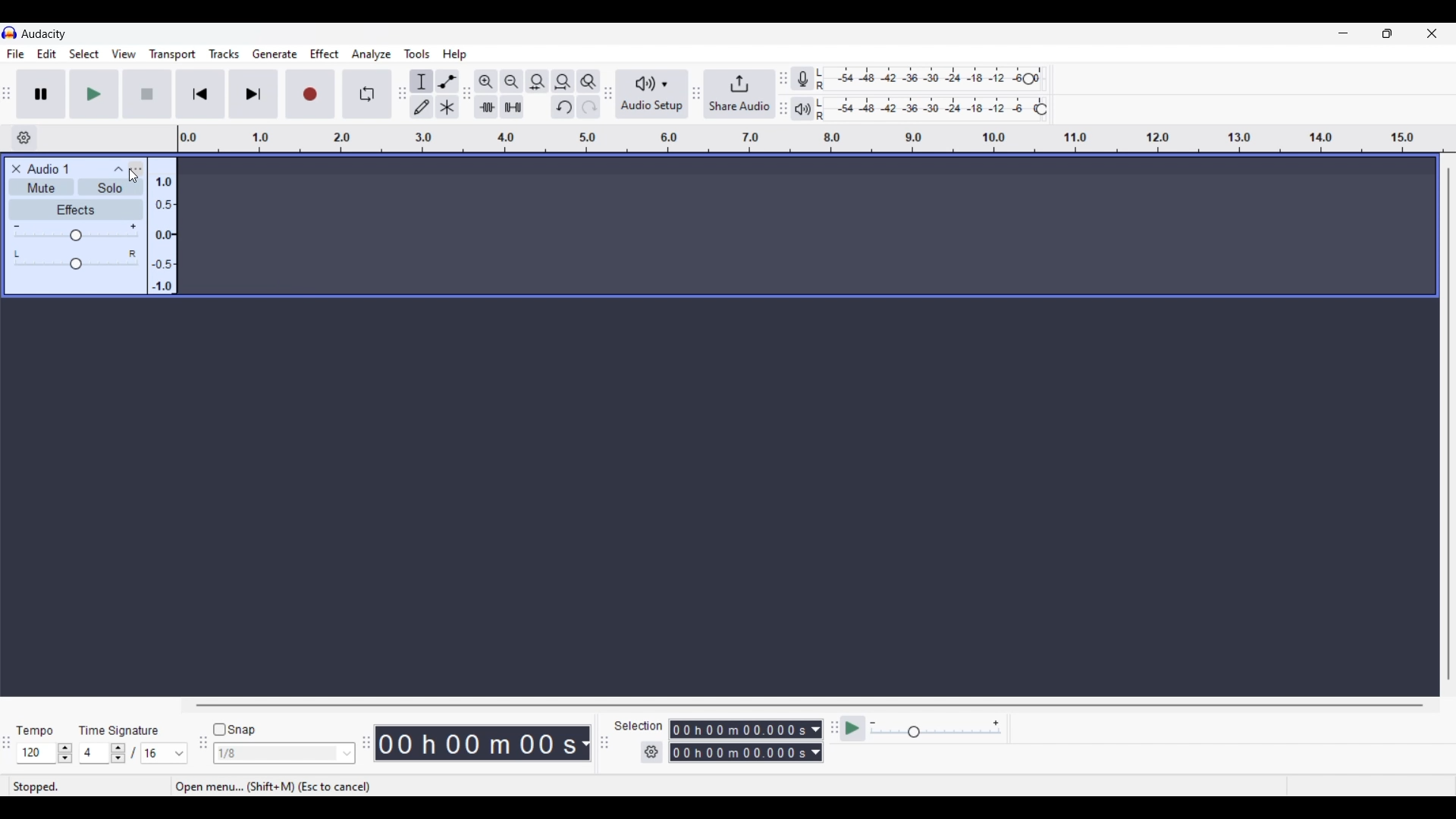  I want to click on Snap toggle, so click(235, 730).